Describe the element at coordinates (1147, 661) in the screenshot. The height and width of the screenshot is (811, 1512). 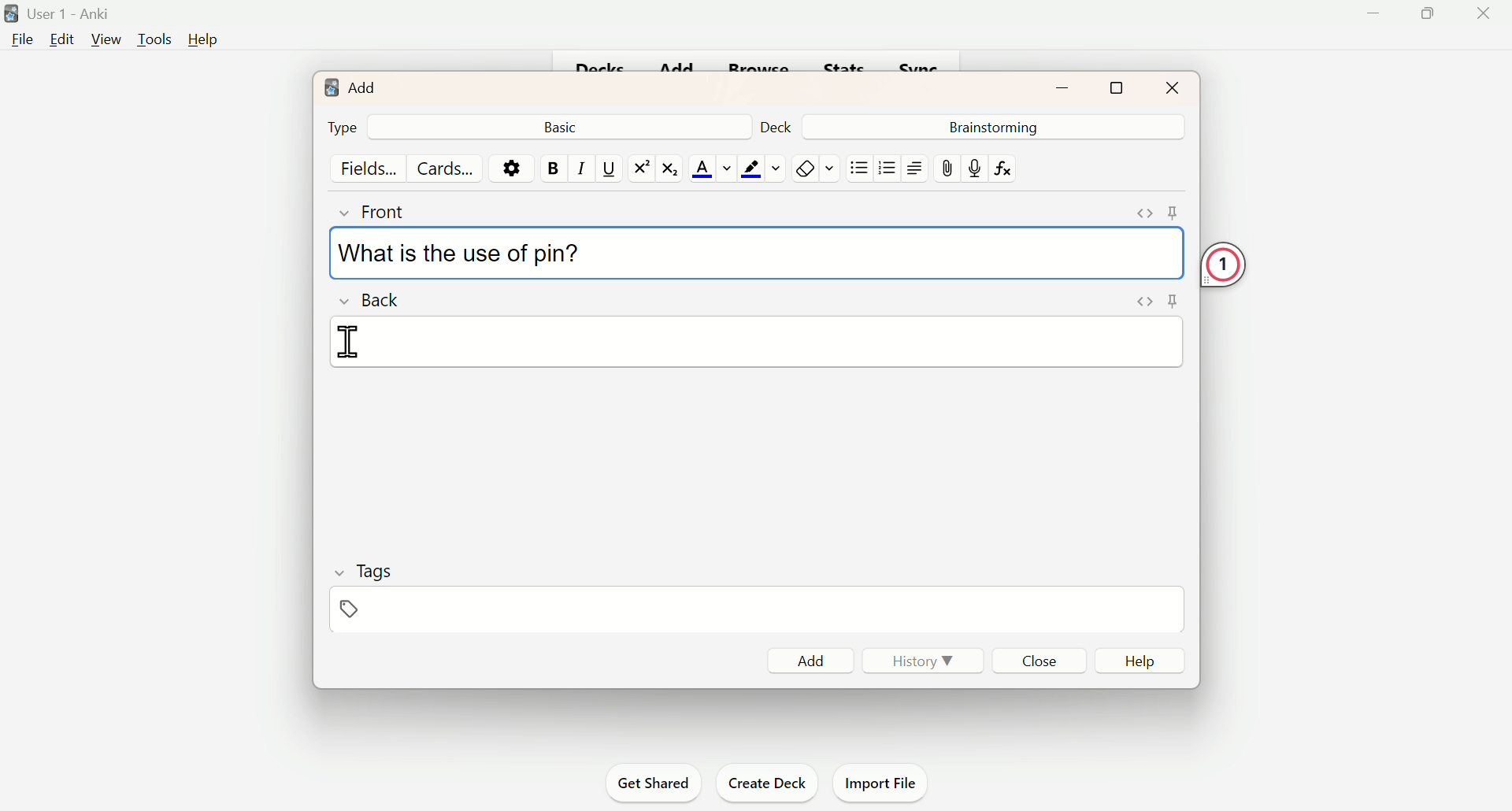
I see `Help` at that location.